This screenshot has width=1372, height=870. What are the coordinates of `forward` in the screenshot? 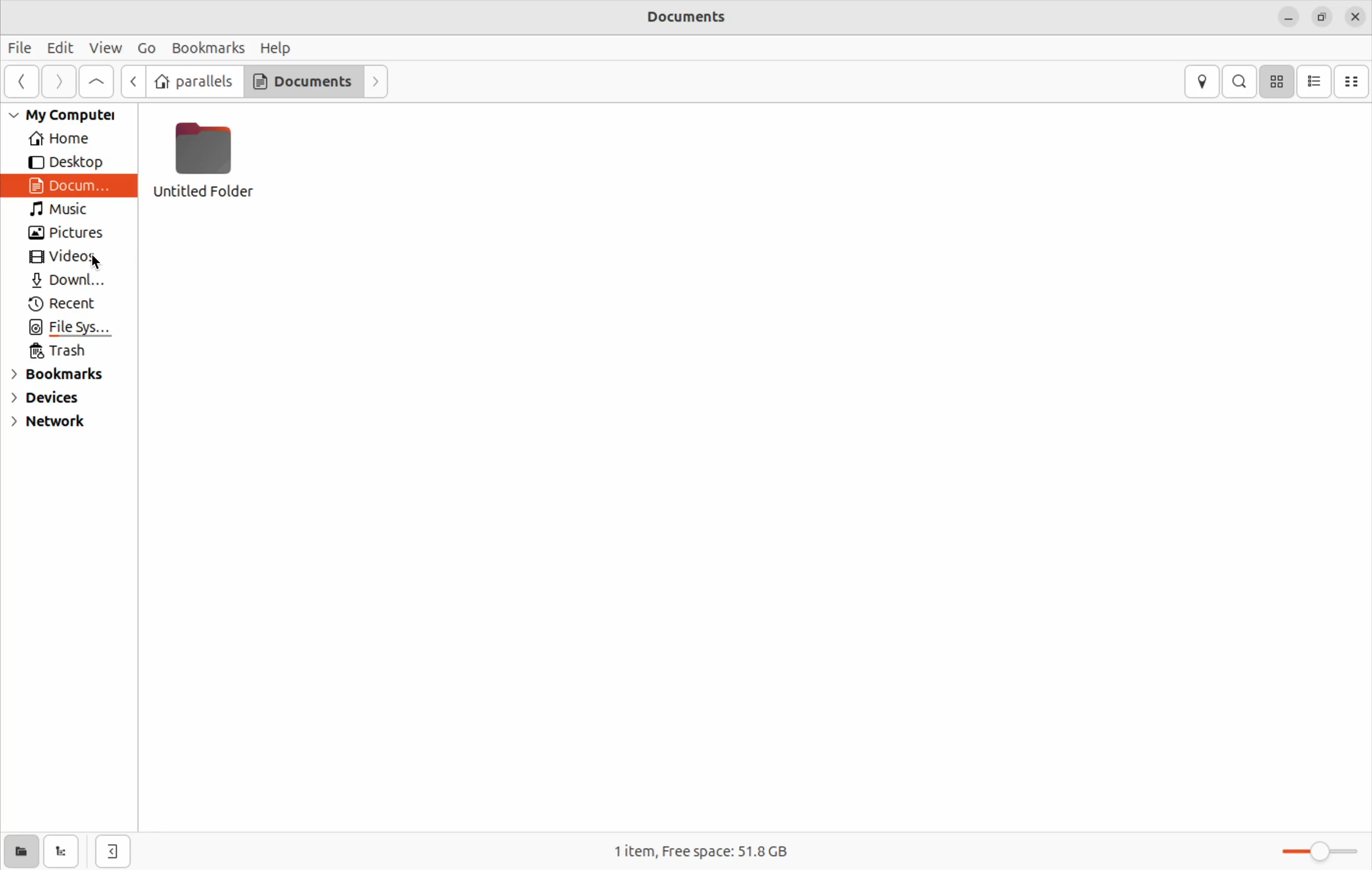 It's located at (59, 83).